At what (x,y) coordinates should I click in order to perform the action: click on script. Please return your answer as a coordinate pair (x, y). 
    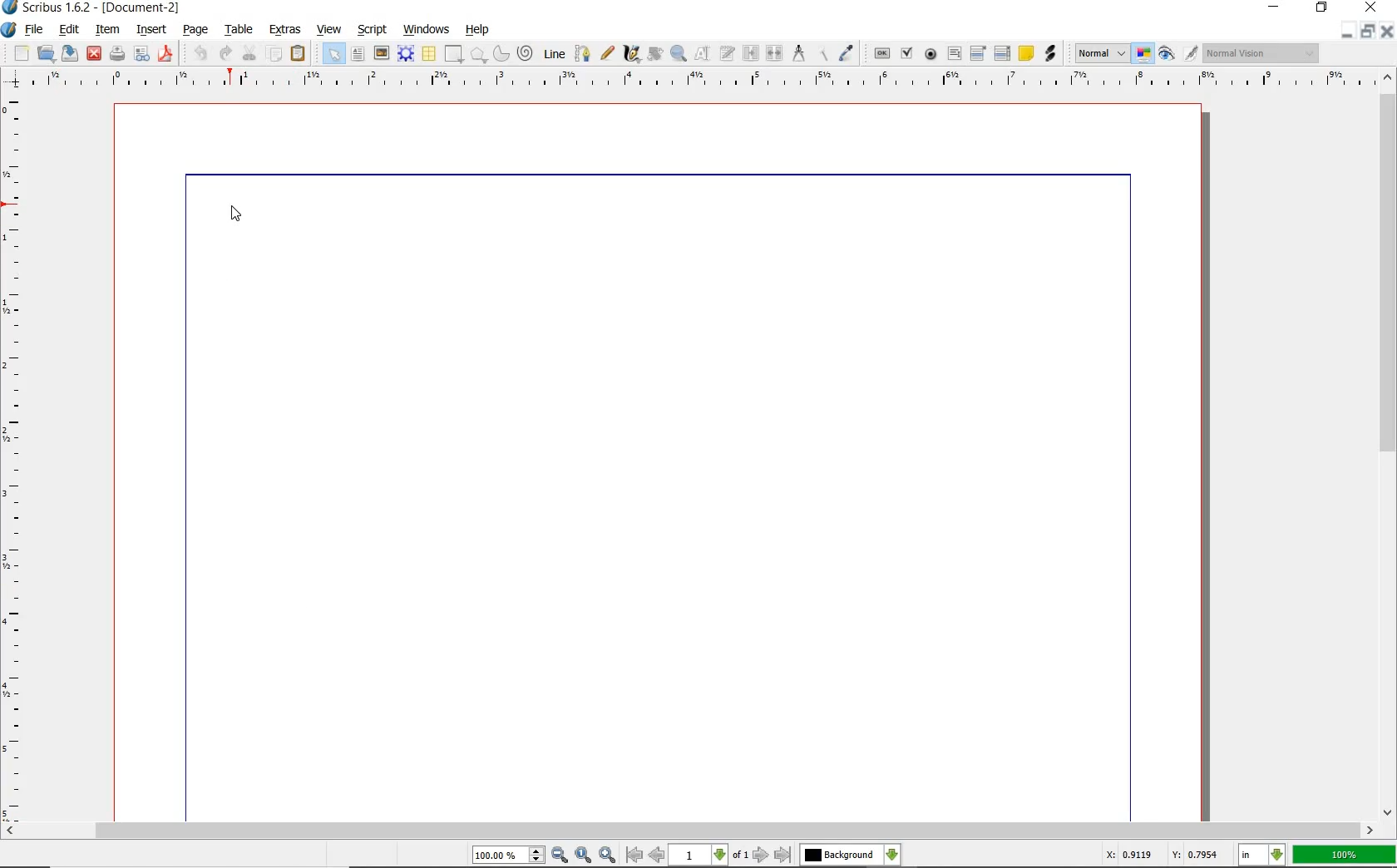
    Looking at the image, I should click on (373, 31).